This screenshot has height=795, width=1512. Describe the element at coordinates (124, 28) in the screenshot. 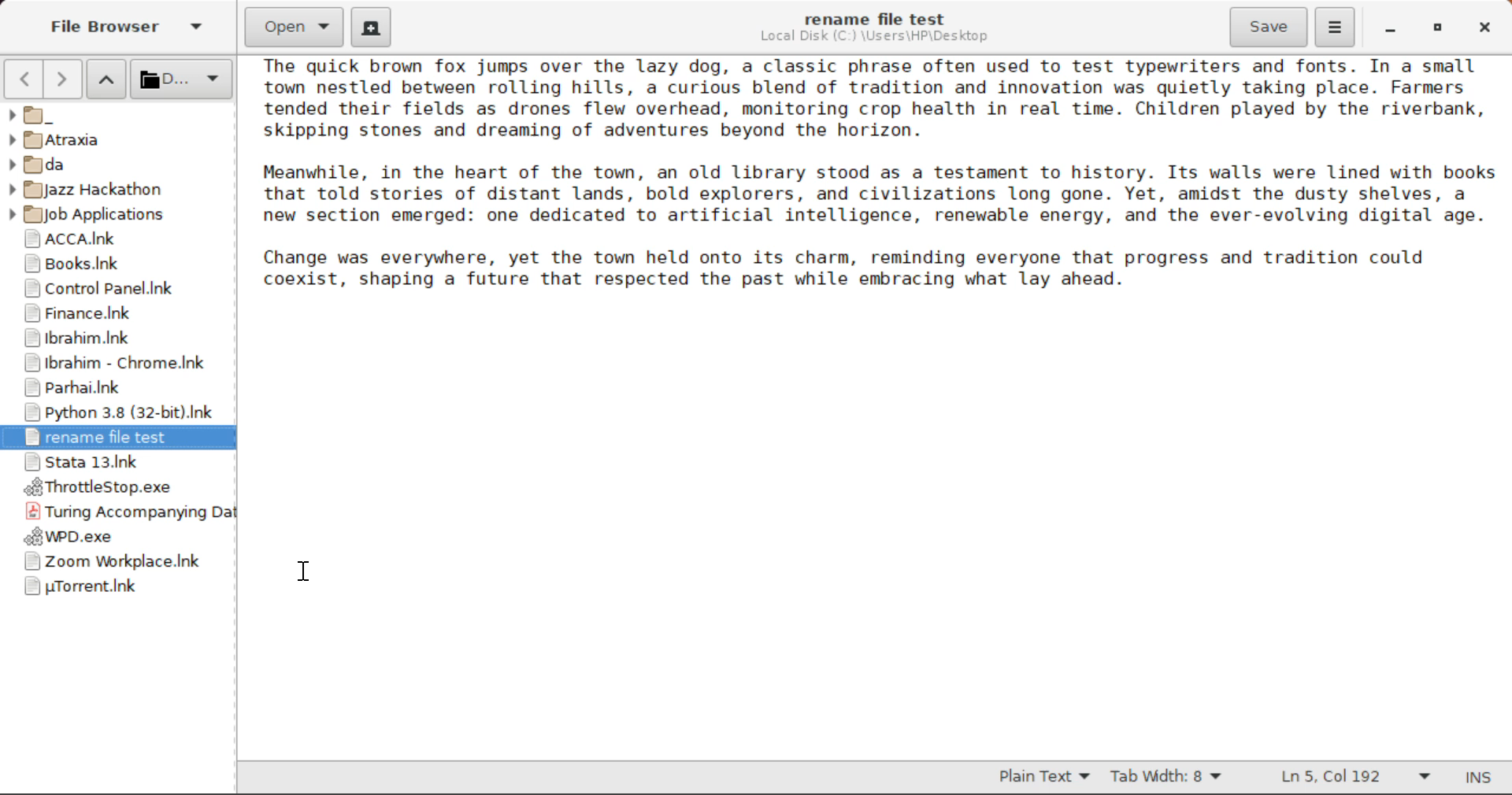

I see `File Browser Tab` at that location.